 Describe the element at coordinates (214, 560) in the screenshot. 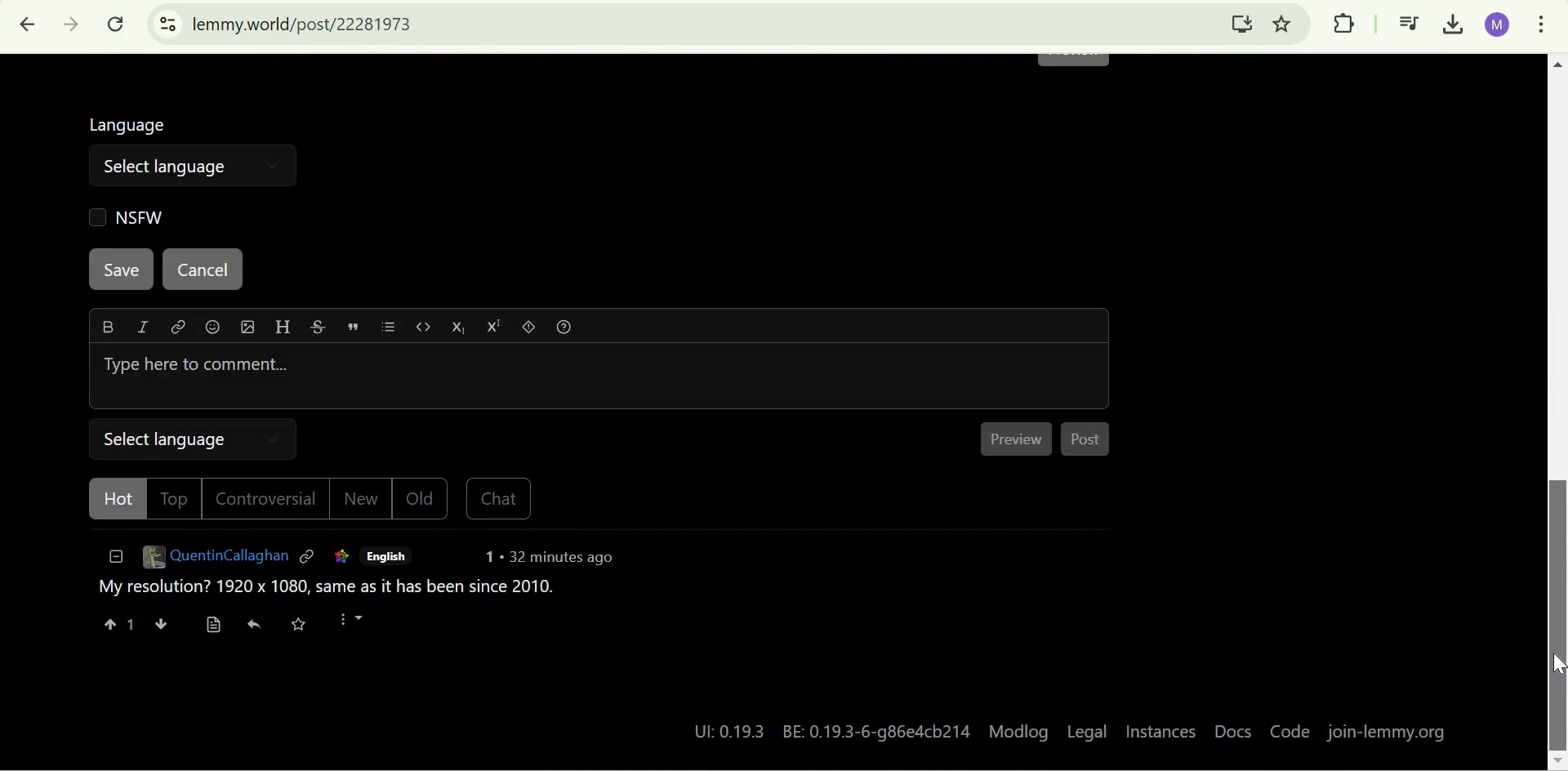

I see `QuentinCallaghan` at that location.